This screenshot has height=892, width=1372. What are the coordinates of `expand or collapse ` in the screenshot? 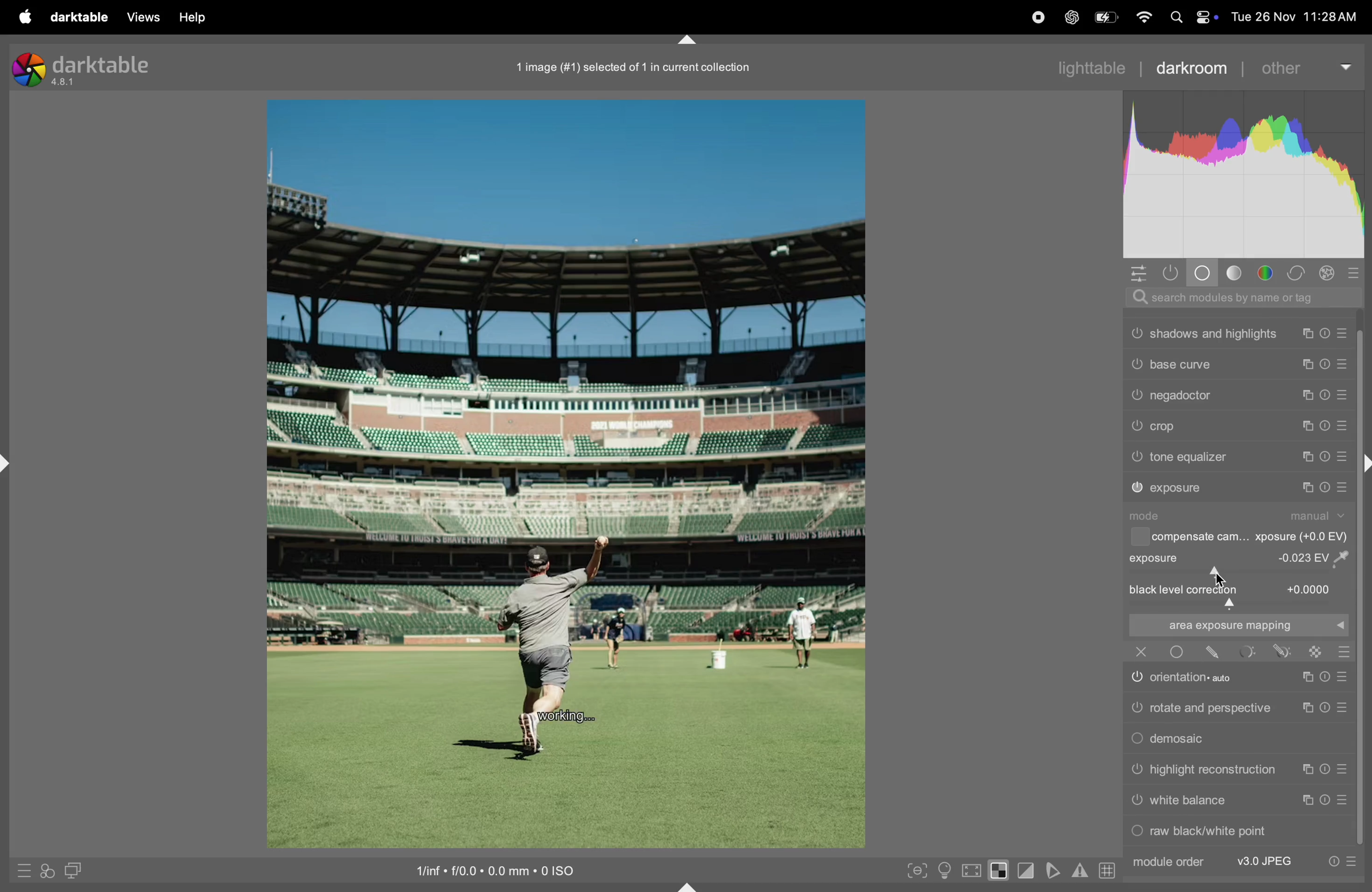 It's located at (1363, 465).